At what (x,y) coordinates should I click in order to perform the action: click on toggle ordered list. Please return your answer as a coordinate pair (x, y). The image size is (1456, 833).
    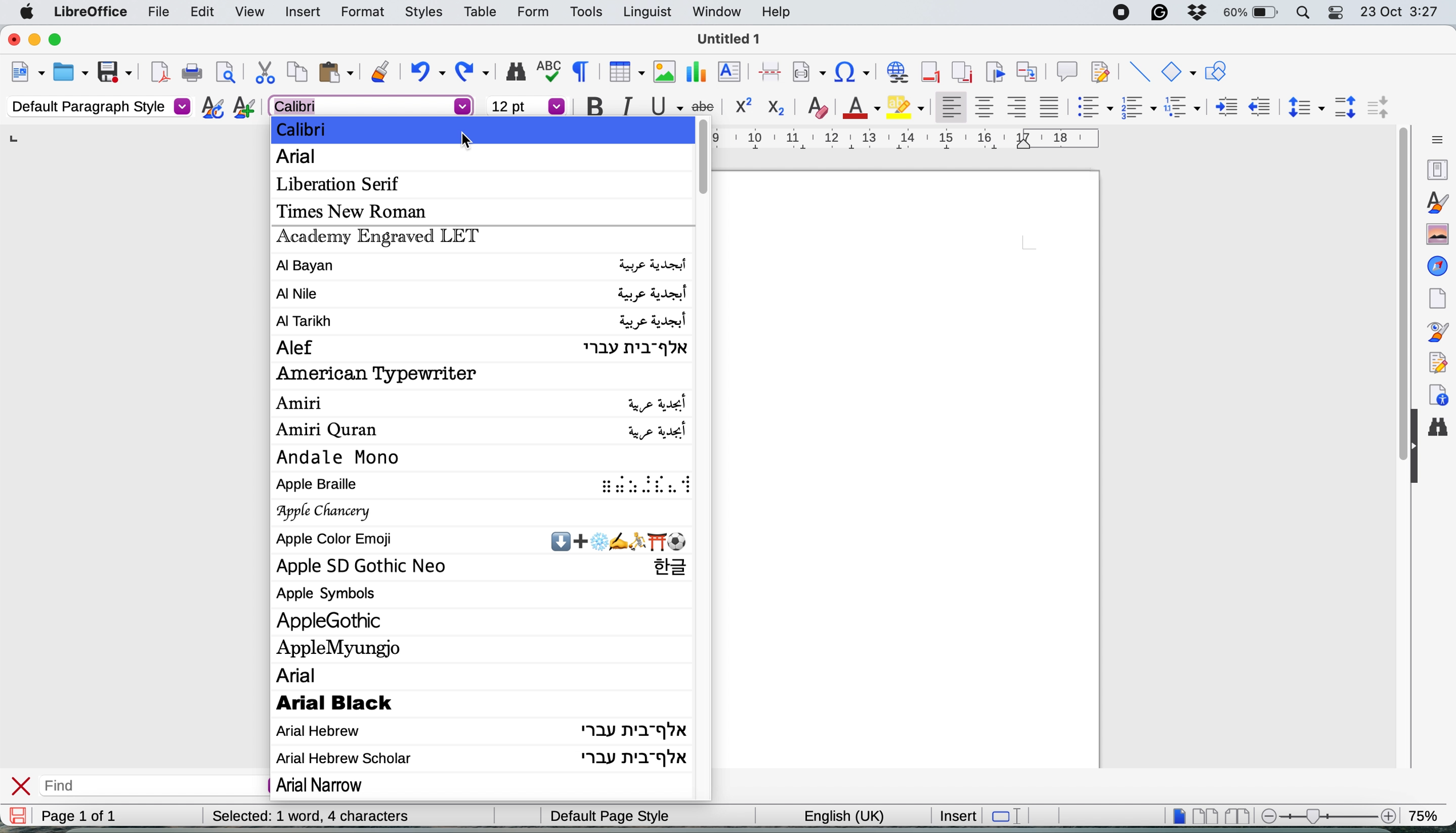
    Looking at the image, I should click on (1139, 109).